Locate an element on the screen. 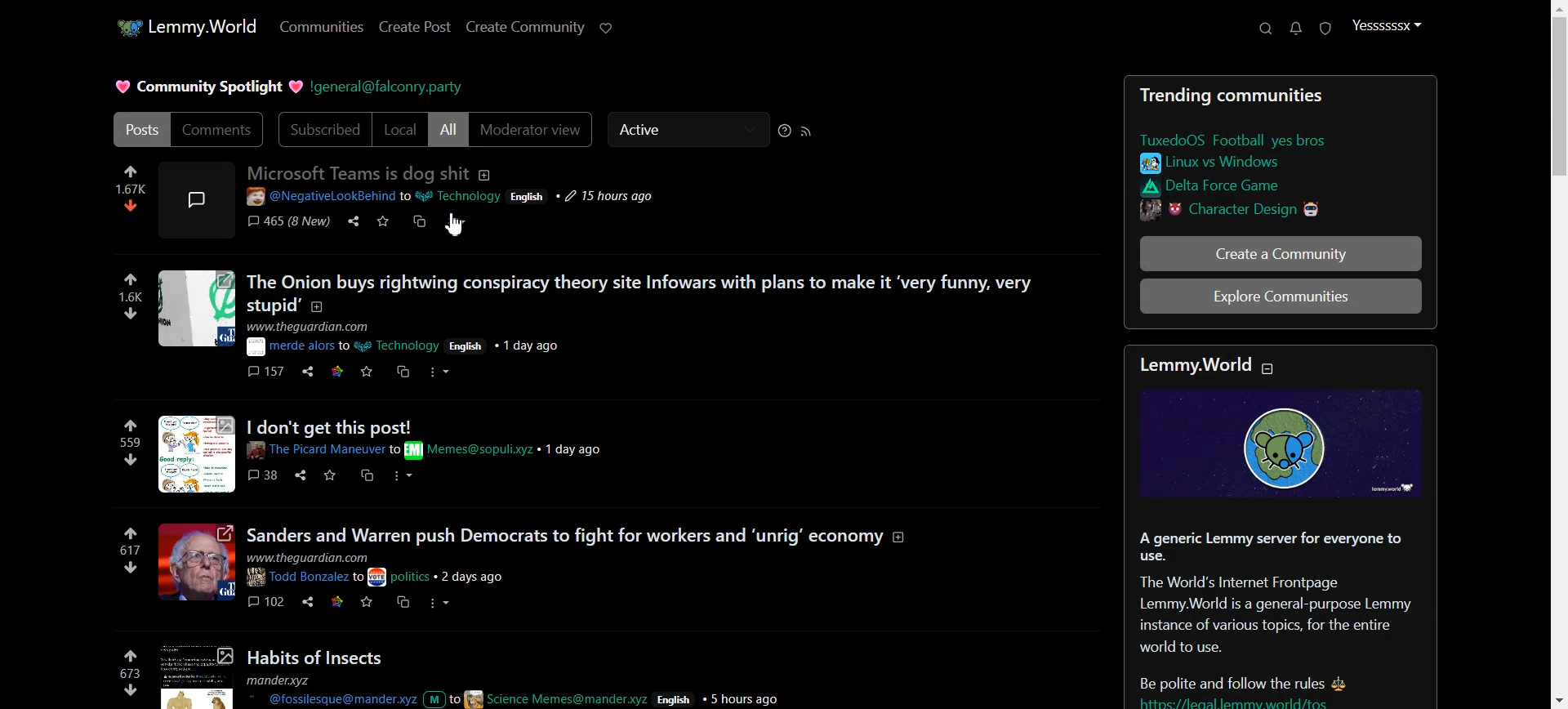 The image size is (1568, 709). like is located at coordinates (131, 170).